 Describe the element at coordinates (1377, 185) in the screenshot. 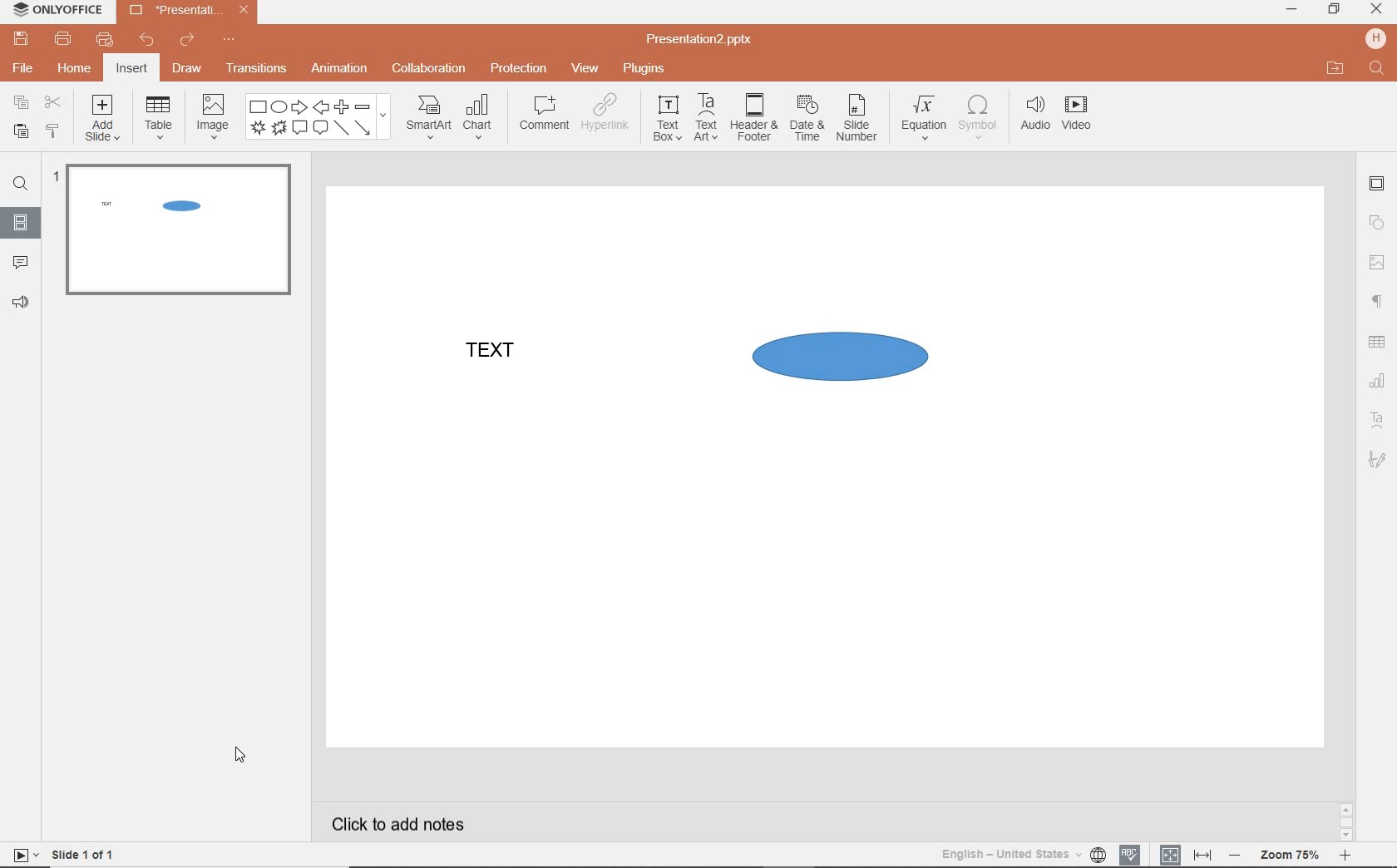

I see `SLIDE SETTINGS` at that location.